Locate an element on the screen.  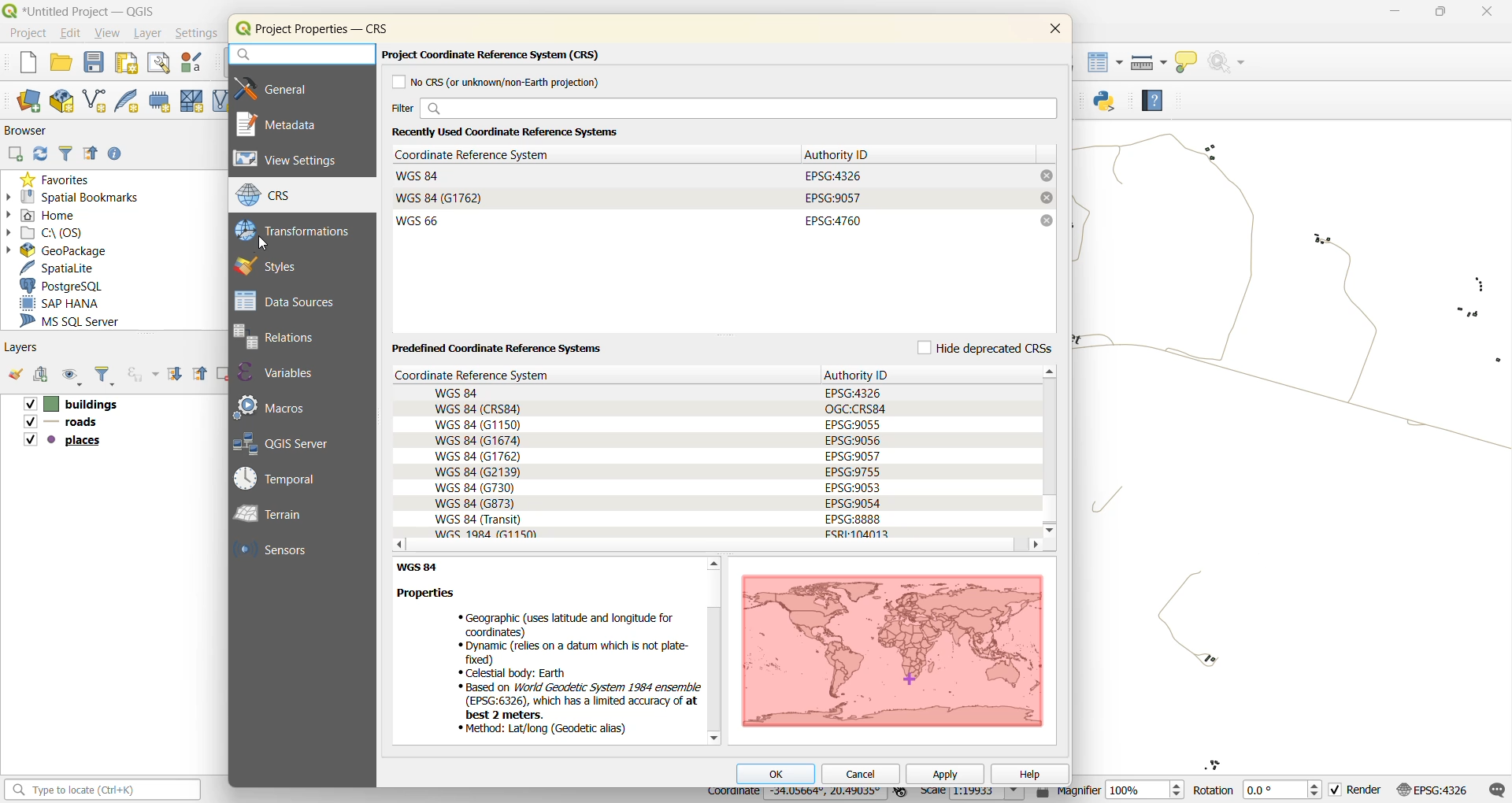
layers is located at coordinates (20, 348).